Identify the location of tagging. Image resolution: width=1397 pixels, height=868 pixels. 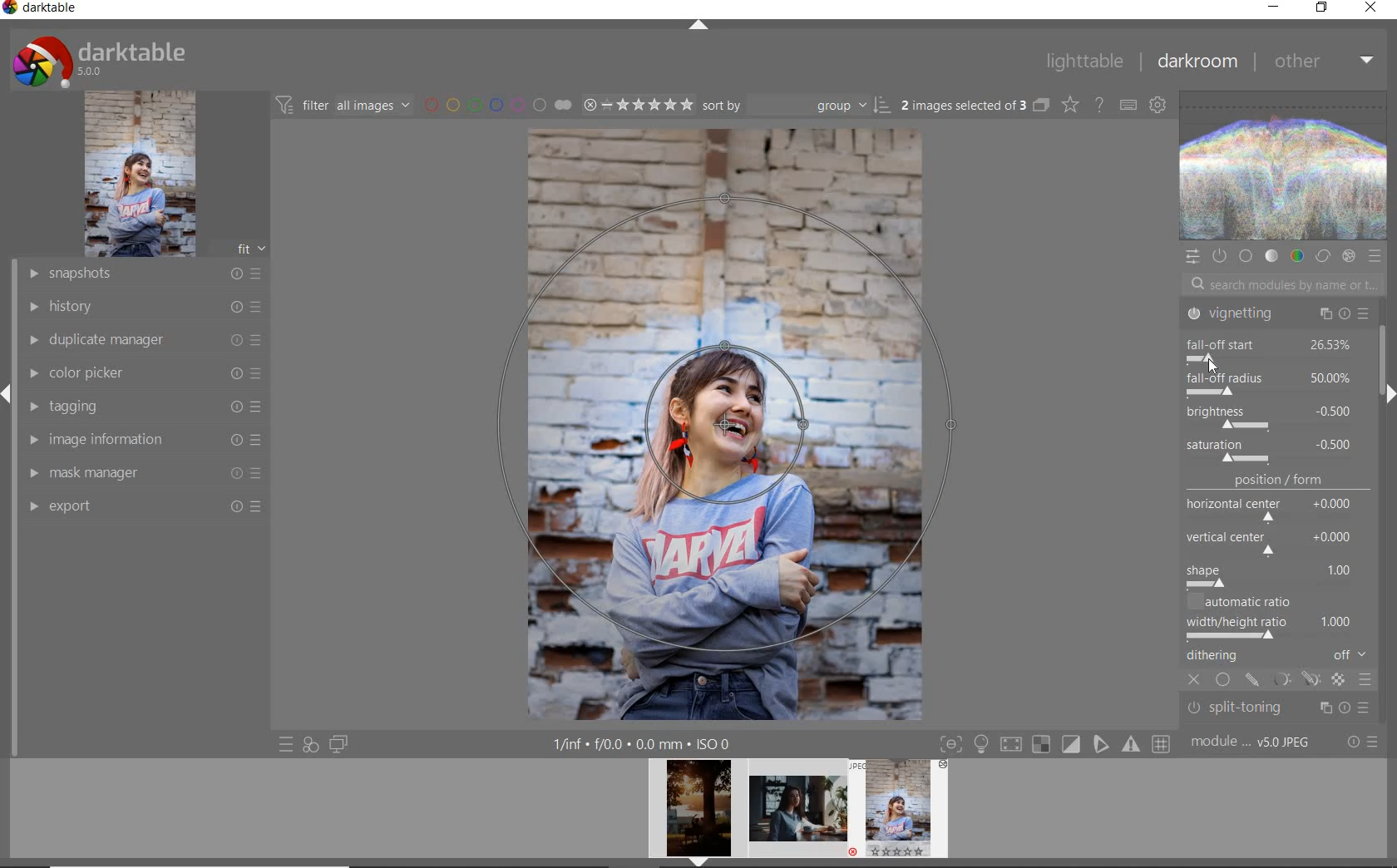
(140, 405).